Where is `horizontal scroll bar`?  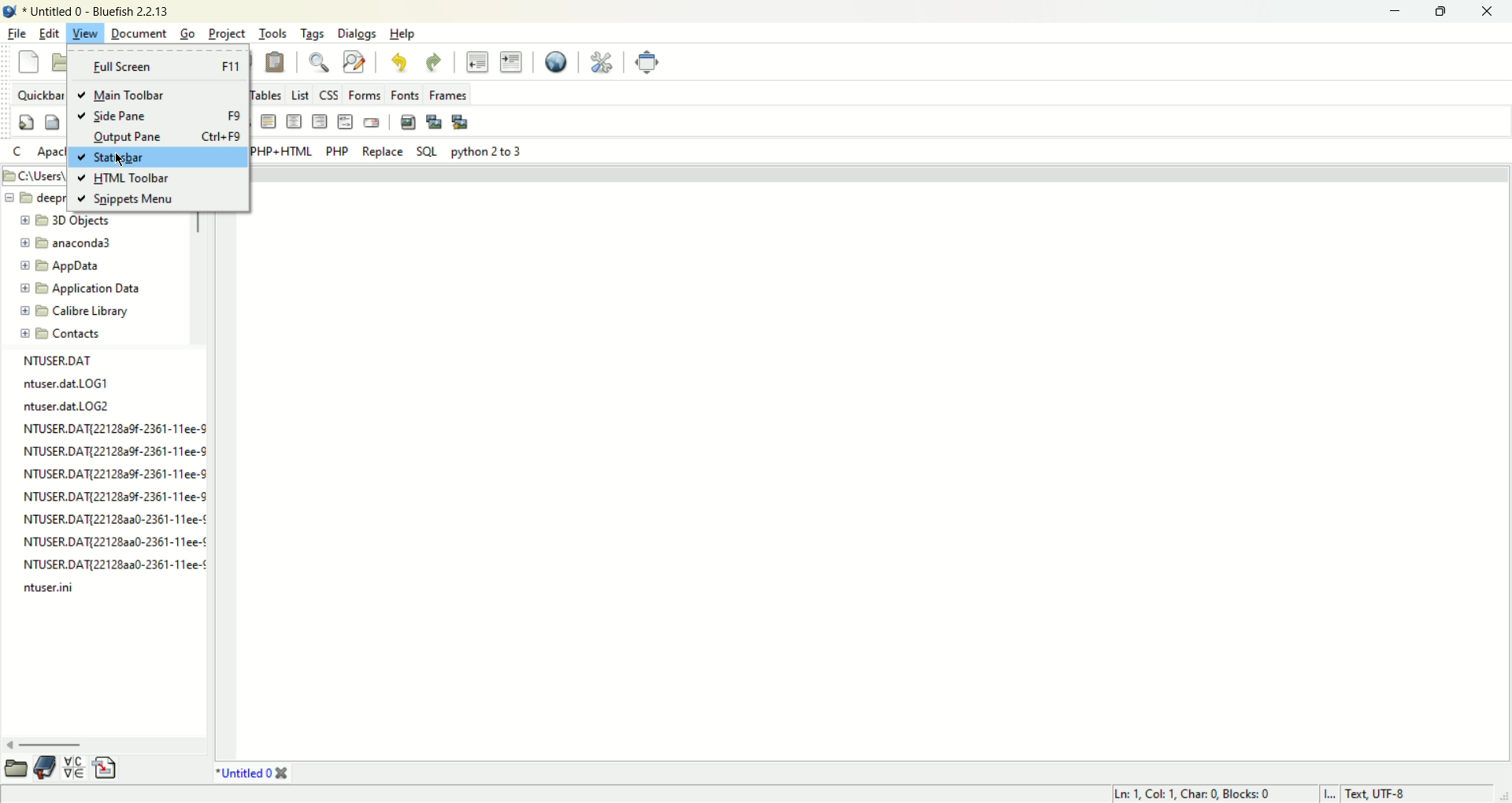 horizontal scroll bar is located at coordinates (48, 744).